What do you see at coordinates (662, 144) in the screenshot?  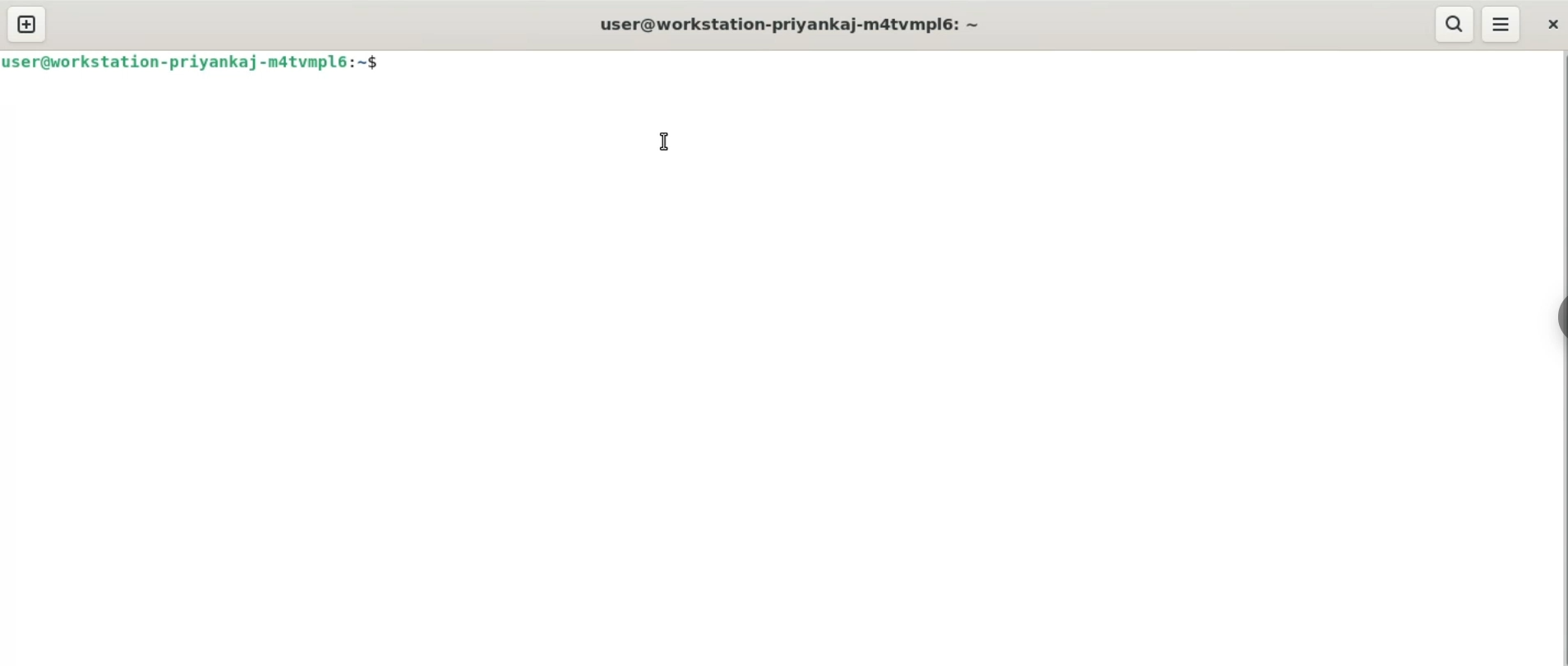 I see `cursor` at bounding box center [662, 144].